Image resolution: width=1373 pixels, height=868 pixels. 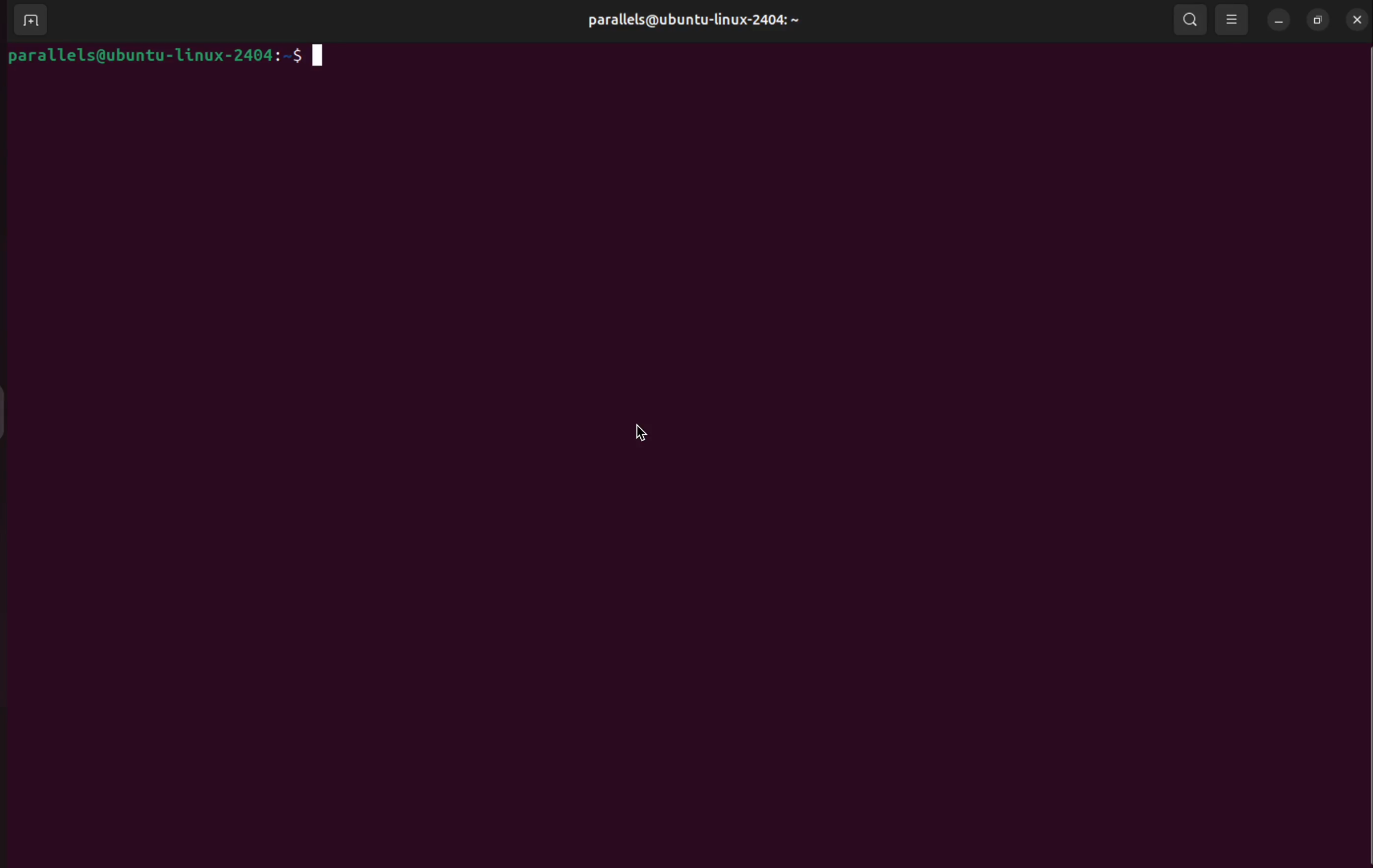 What do you see at coordinates (1355, 18) in the screenshot?
I see `close` at bounding box center [1355, 18].